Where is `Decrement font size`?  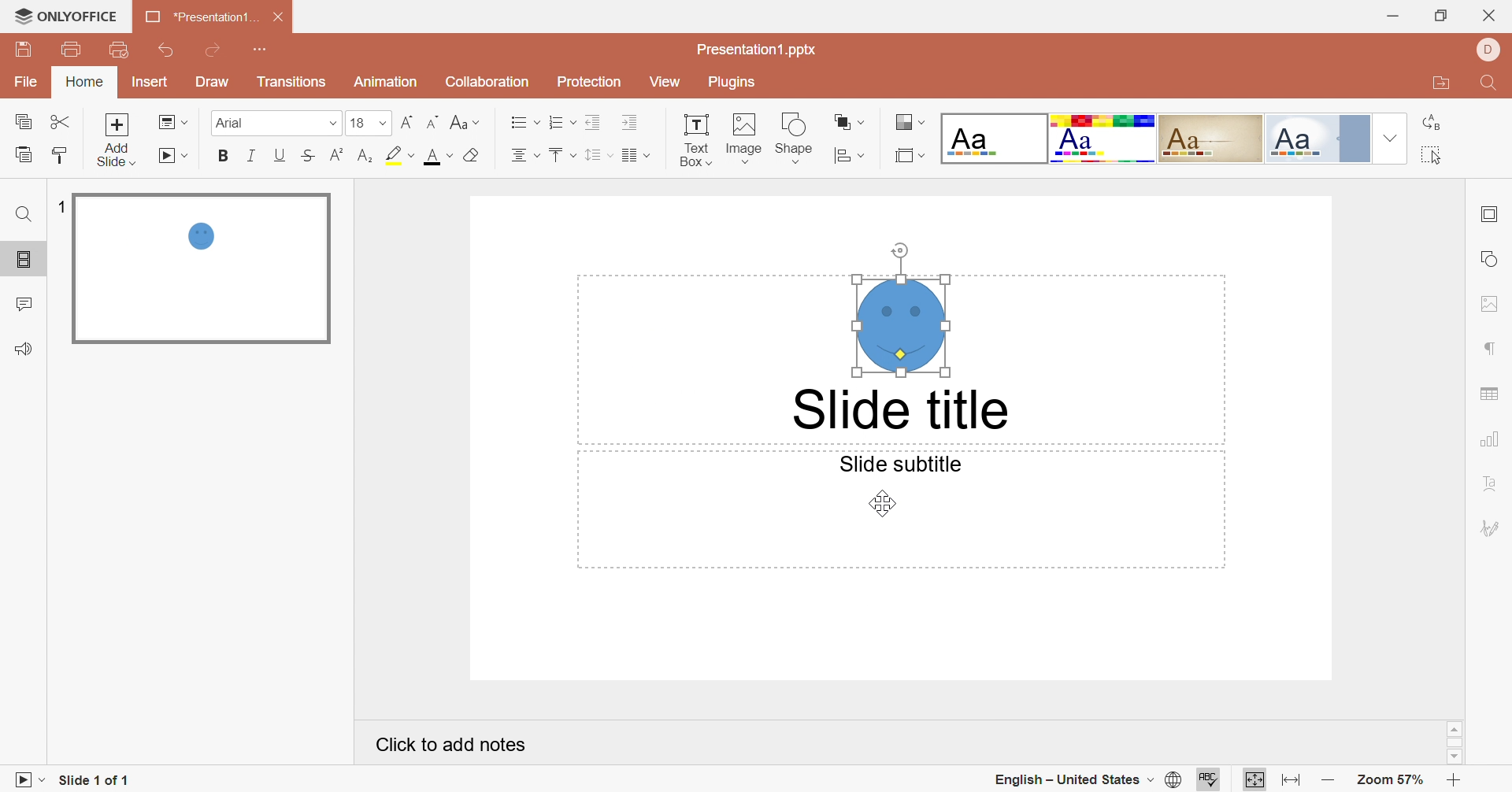 Decrement font size is located at coordinates (431, 118).